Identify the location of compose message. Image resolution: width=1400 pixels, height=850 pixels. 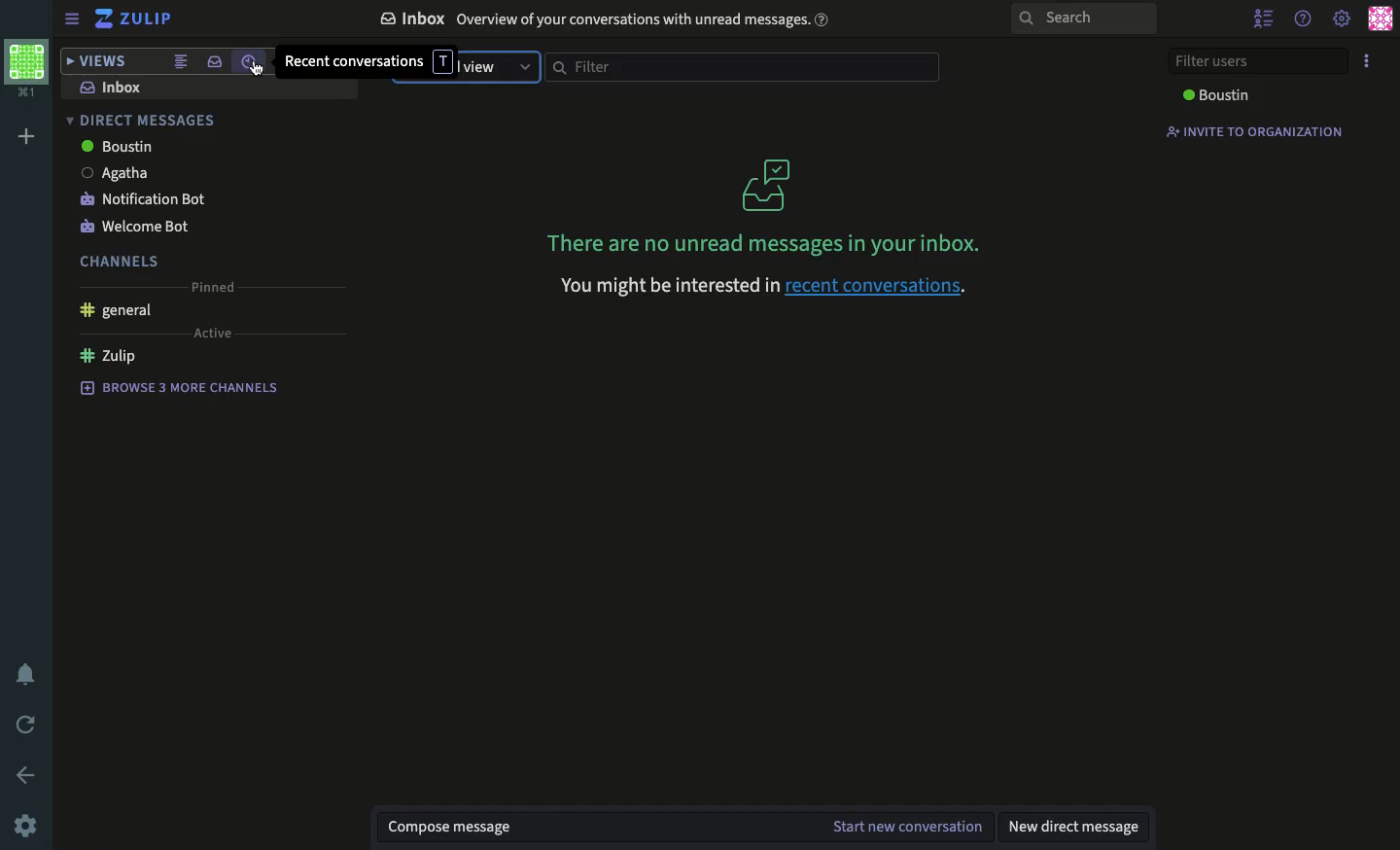
(451, 826).